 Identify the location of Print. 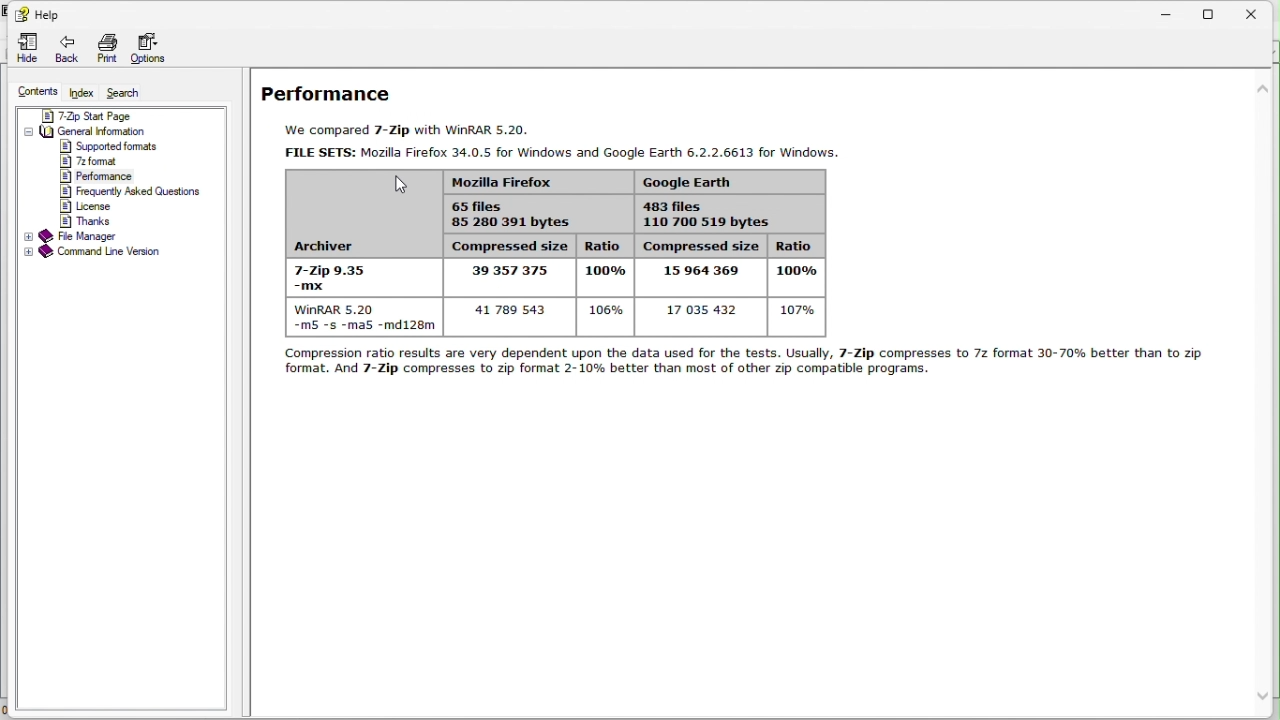
(105, 46).